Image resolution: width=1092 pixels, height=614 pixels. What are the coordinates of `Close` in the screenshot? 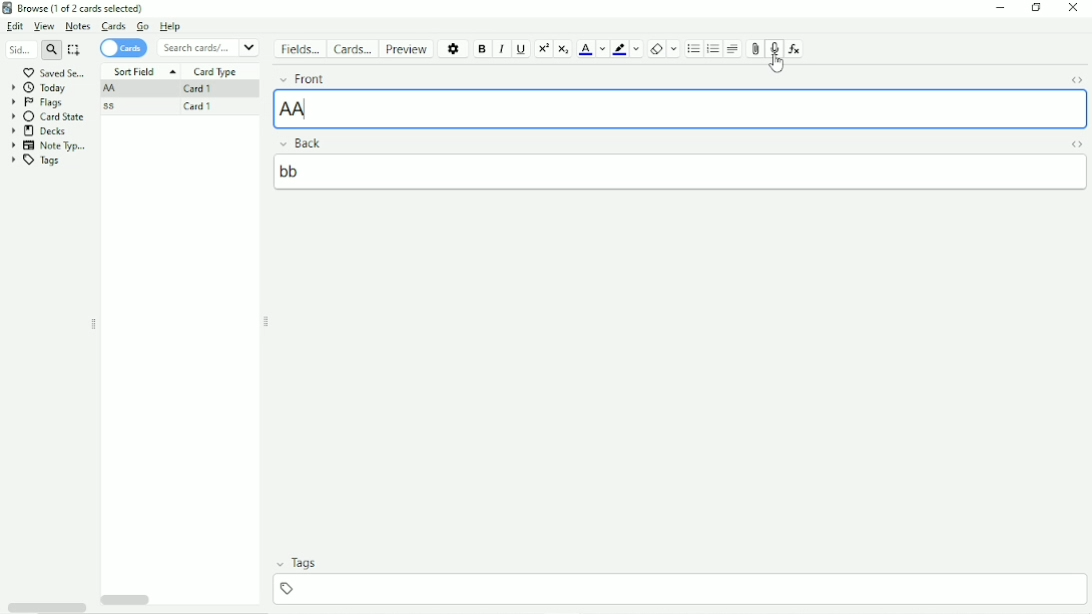 It's located at (1074, 7).